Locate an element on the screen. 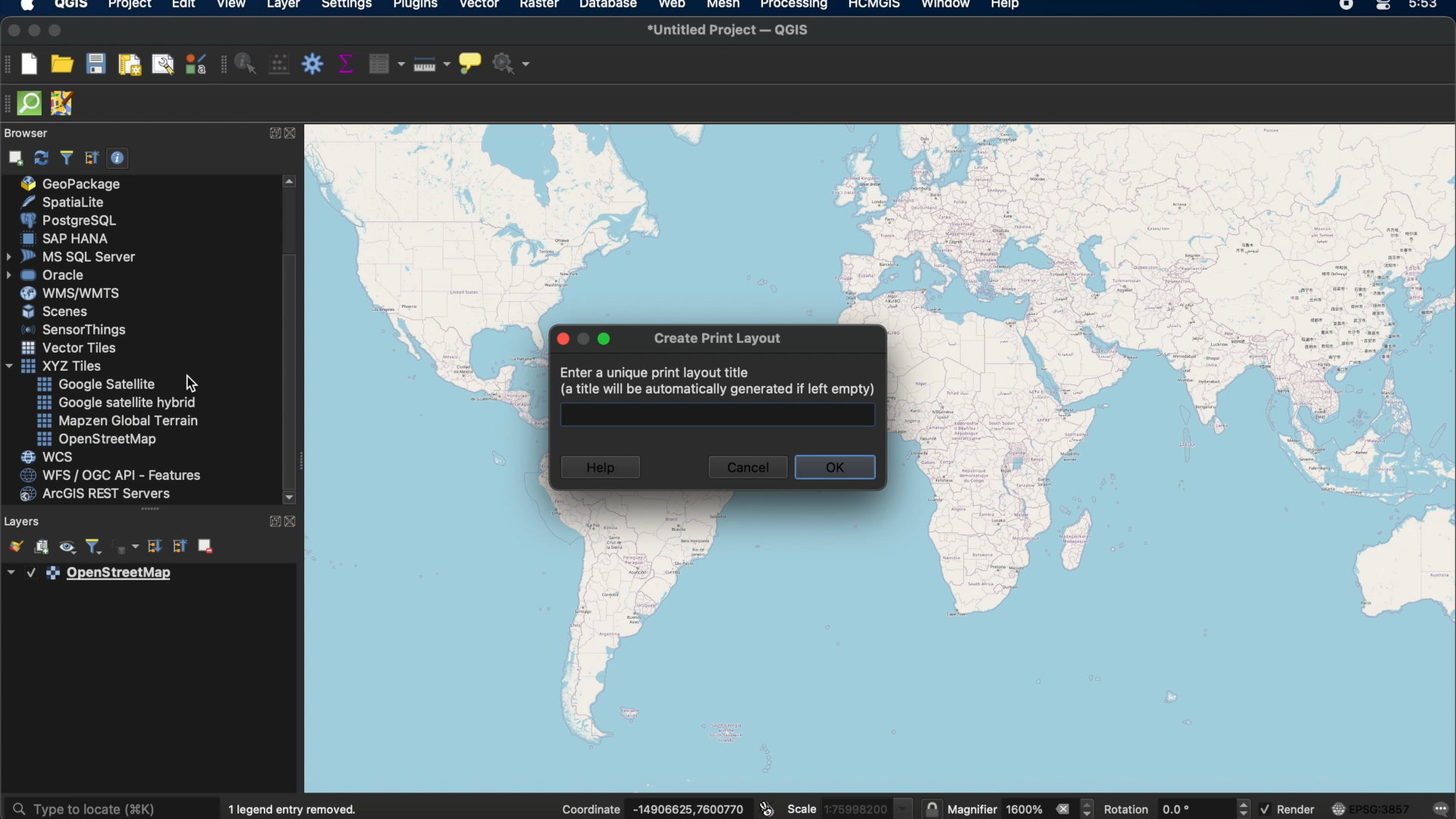 The height and width of the screenshot is (819, 1456). untitled project QGIS is located at coordinates (733, 30).